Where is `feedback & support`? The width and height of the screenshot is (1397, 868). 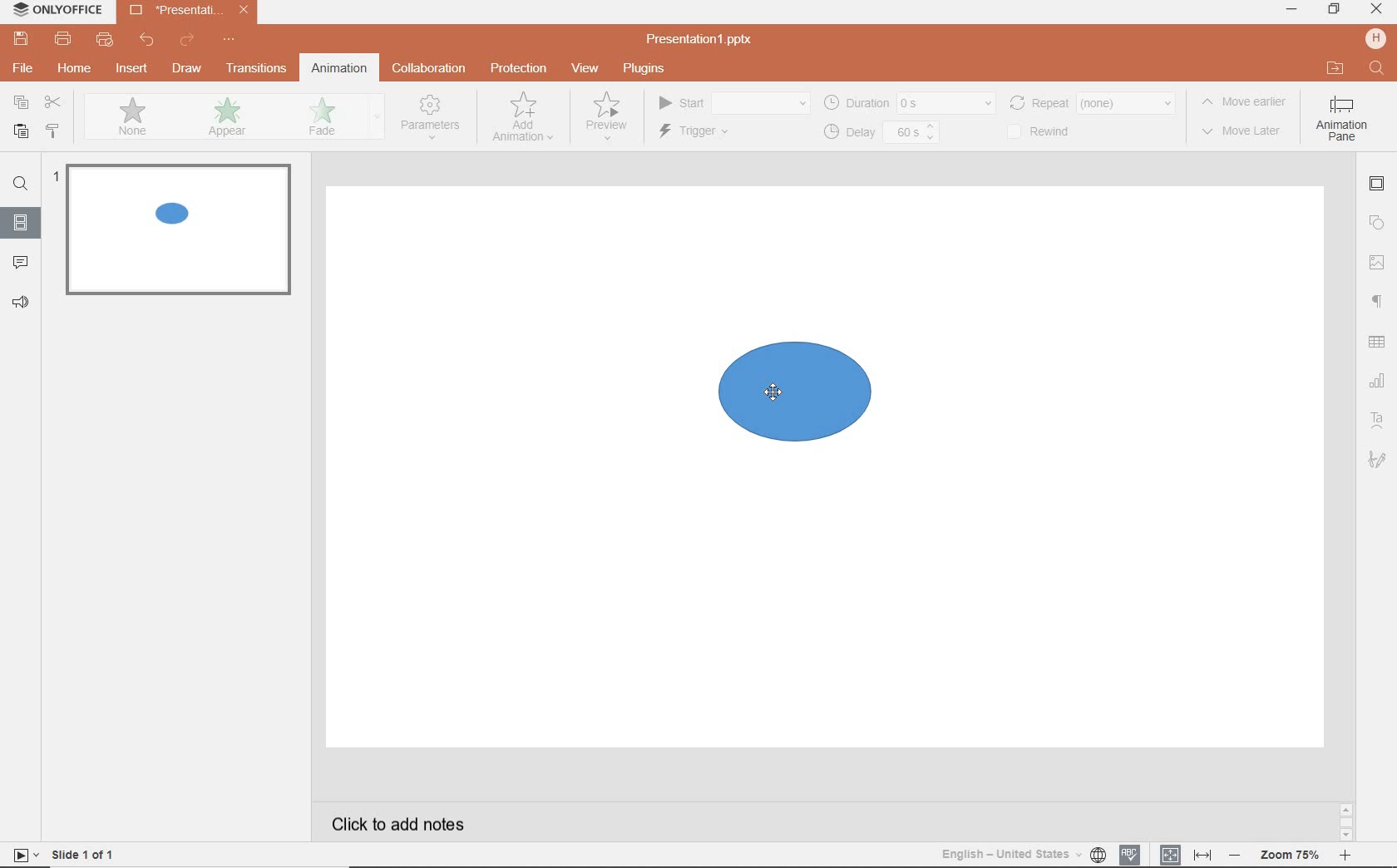
feedback & support is located at coordinates (22, 303).